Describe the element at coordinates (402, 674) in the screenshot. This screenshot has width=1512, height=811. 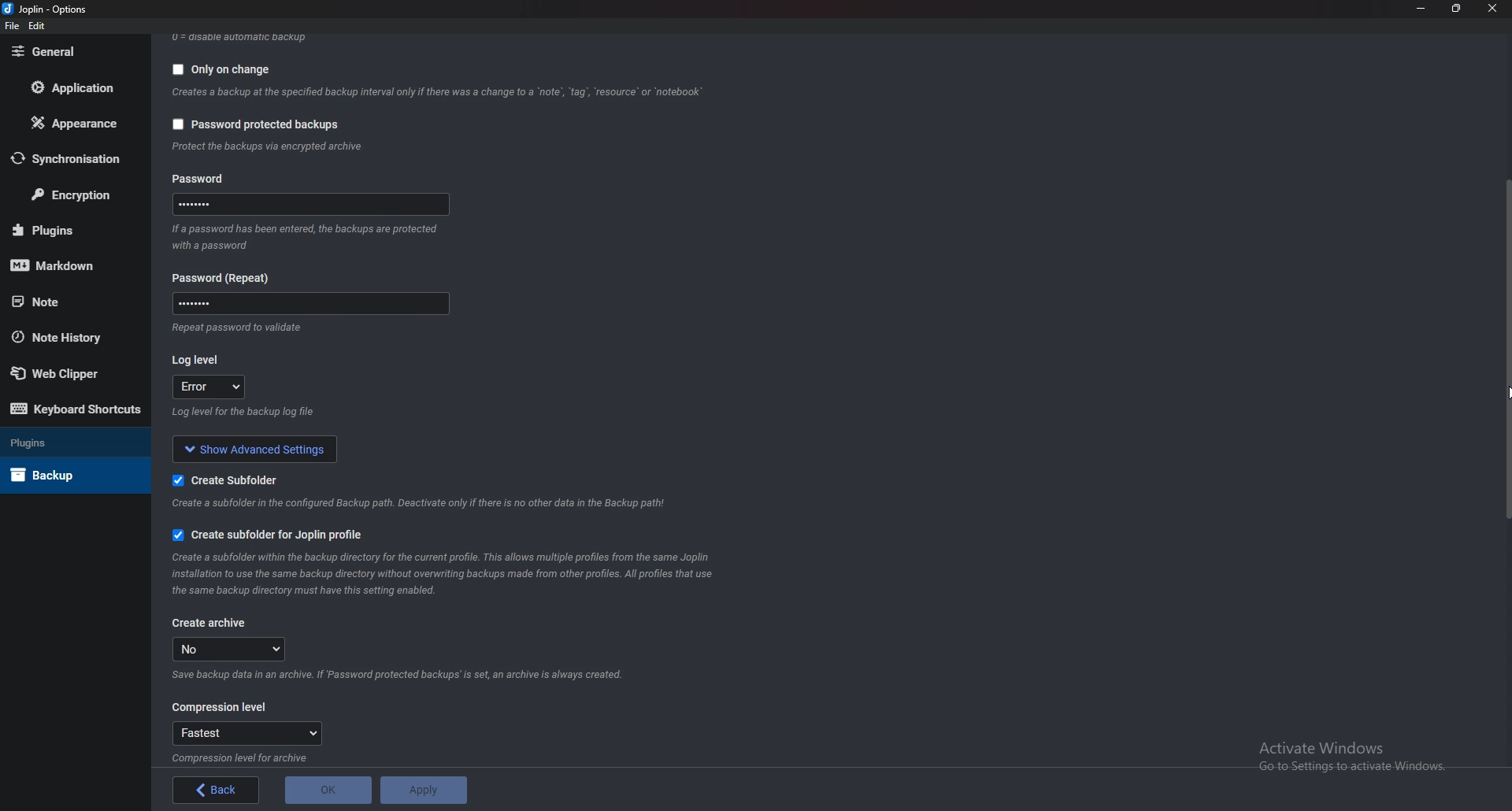
I see `Info on archive` at that location.